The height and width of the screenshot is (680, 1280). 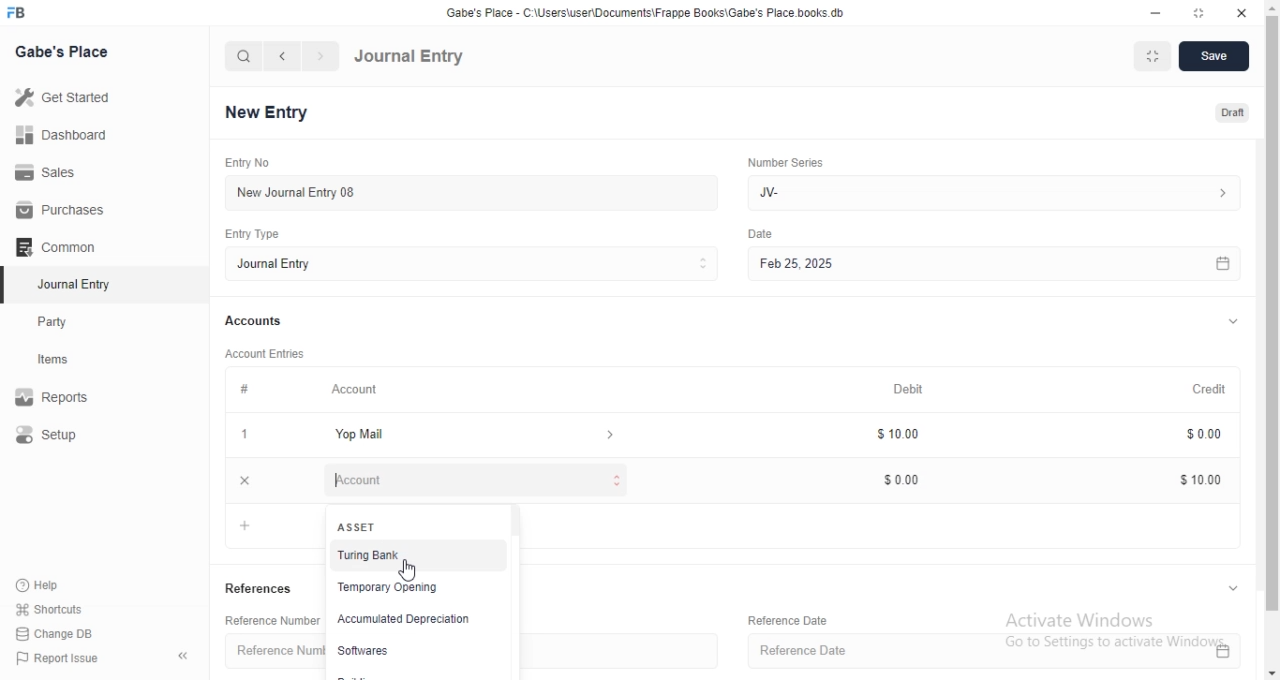 I want to click on selected, so click(x=8, y=286).